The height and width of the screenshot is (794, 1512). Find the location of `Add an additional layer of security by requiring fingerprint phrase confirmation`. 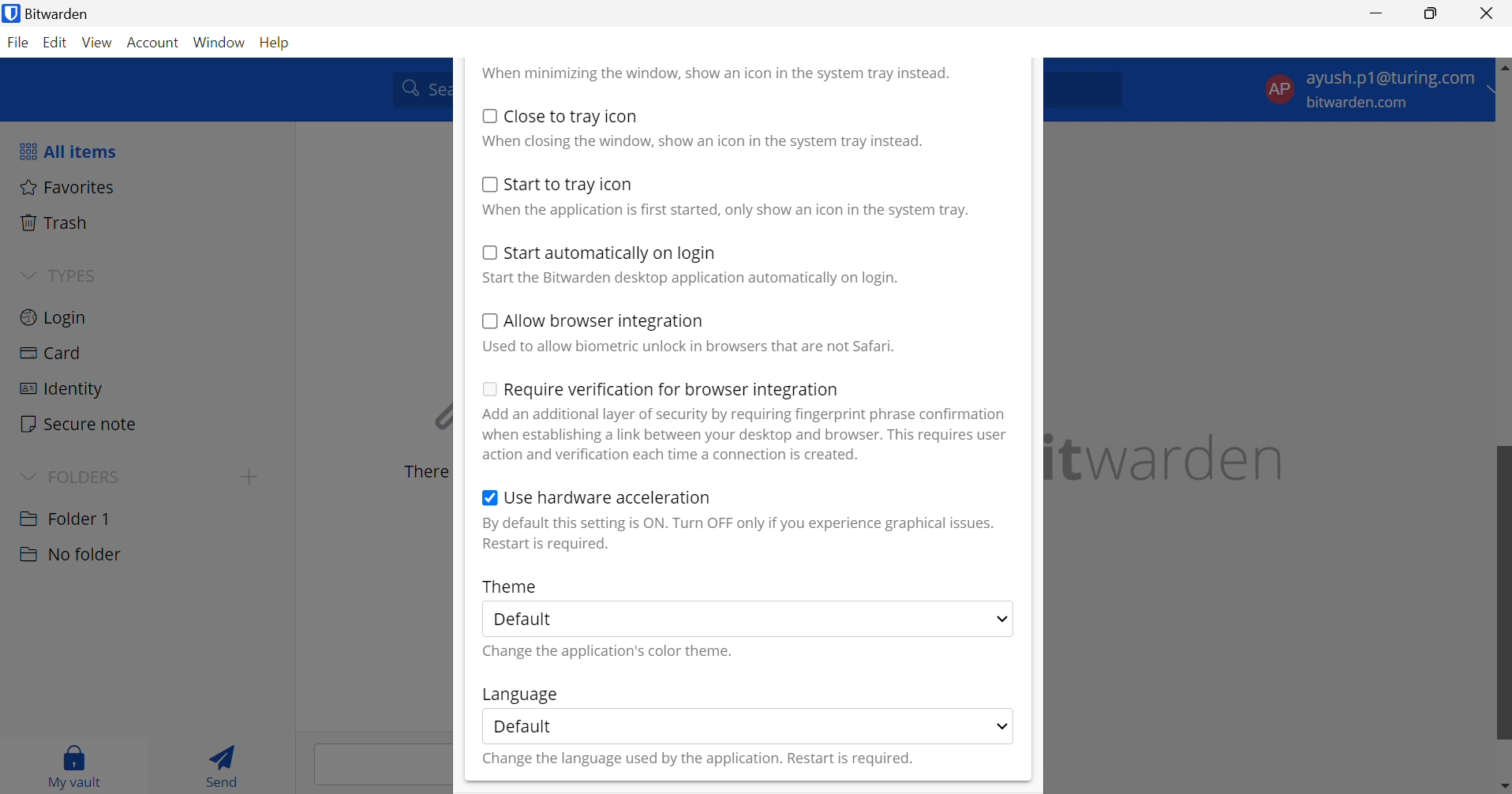

Add an additional layer of security by requiring fingerprint phrase confirmation is located at coordinates (747, 414).